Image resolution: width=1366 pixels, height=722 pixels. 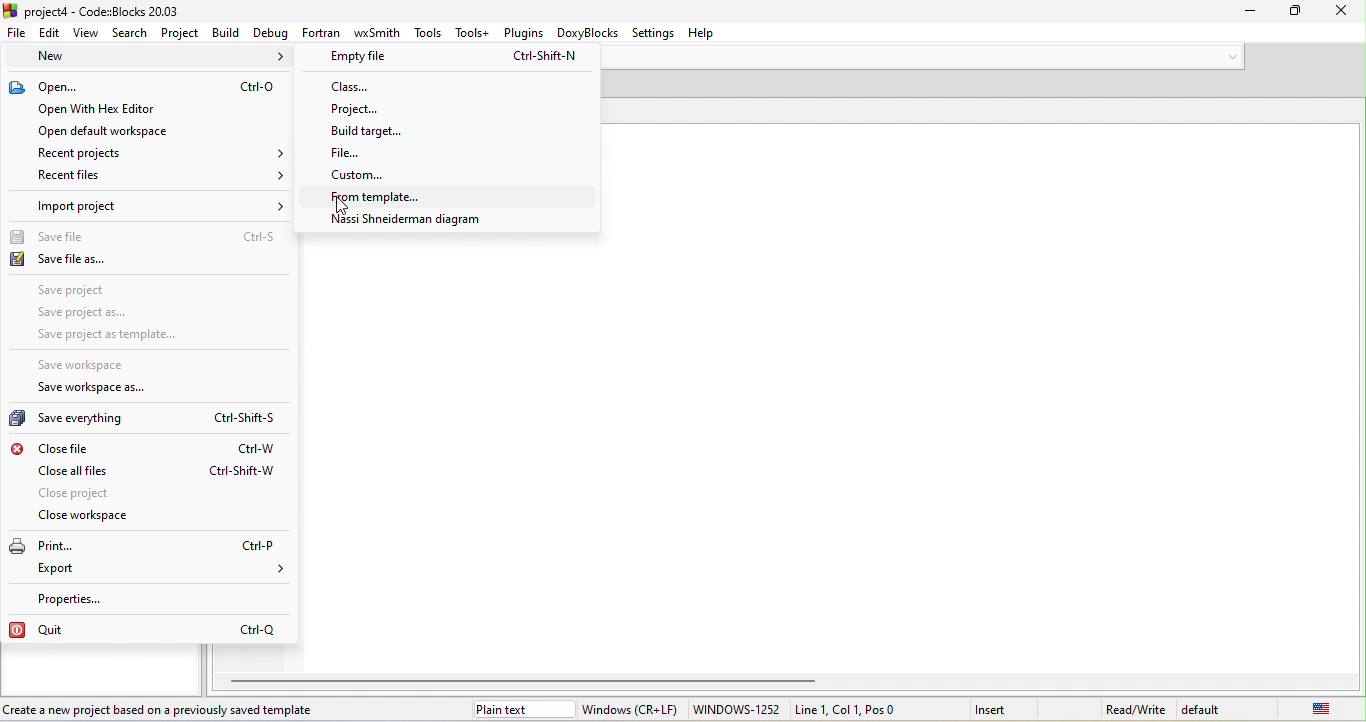 I want to click on close workspace, so click(x=111, y=516).